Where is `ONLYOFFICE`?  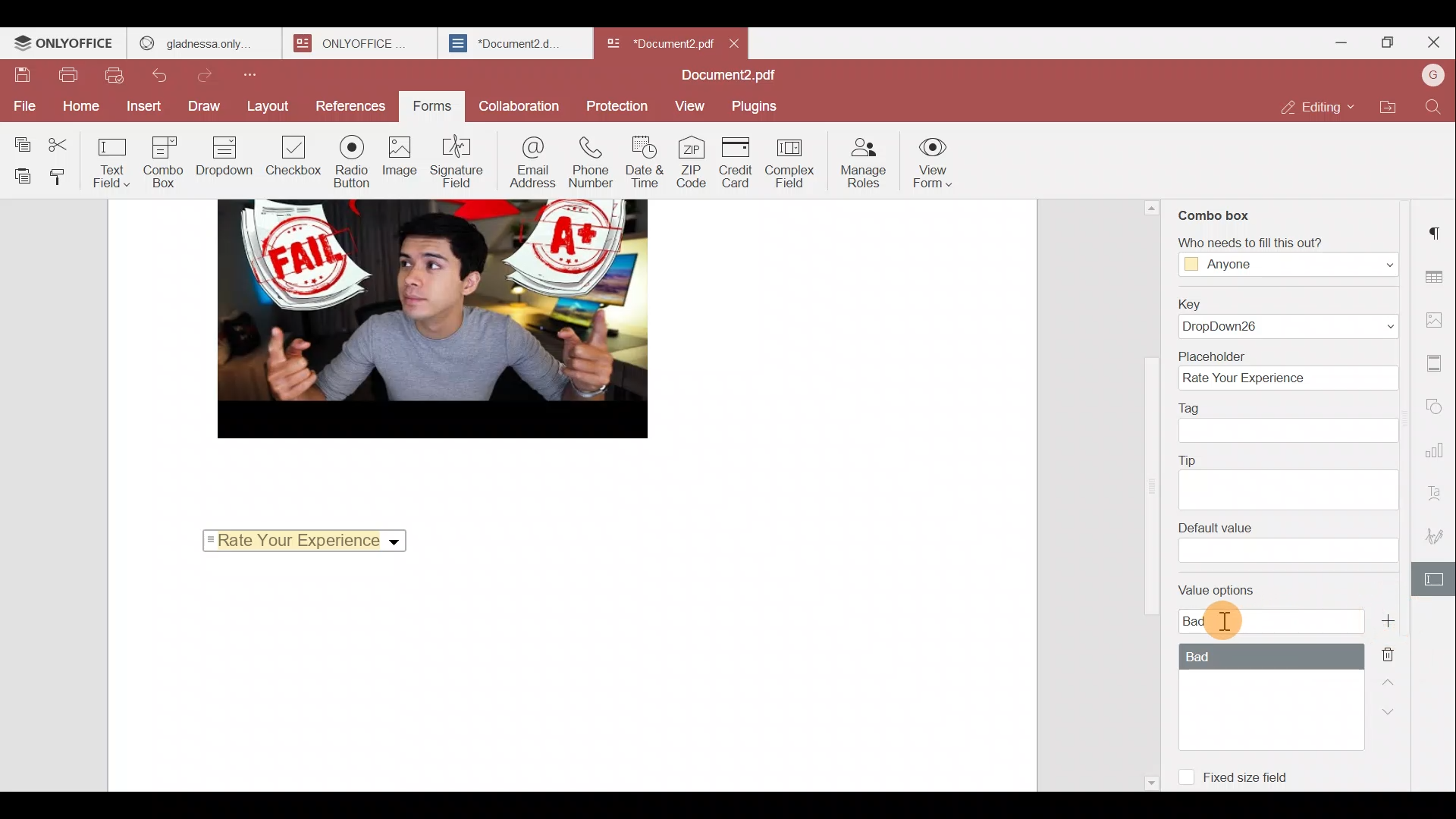 ONLYOFFICE is located at coordinates (350, 43).